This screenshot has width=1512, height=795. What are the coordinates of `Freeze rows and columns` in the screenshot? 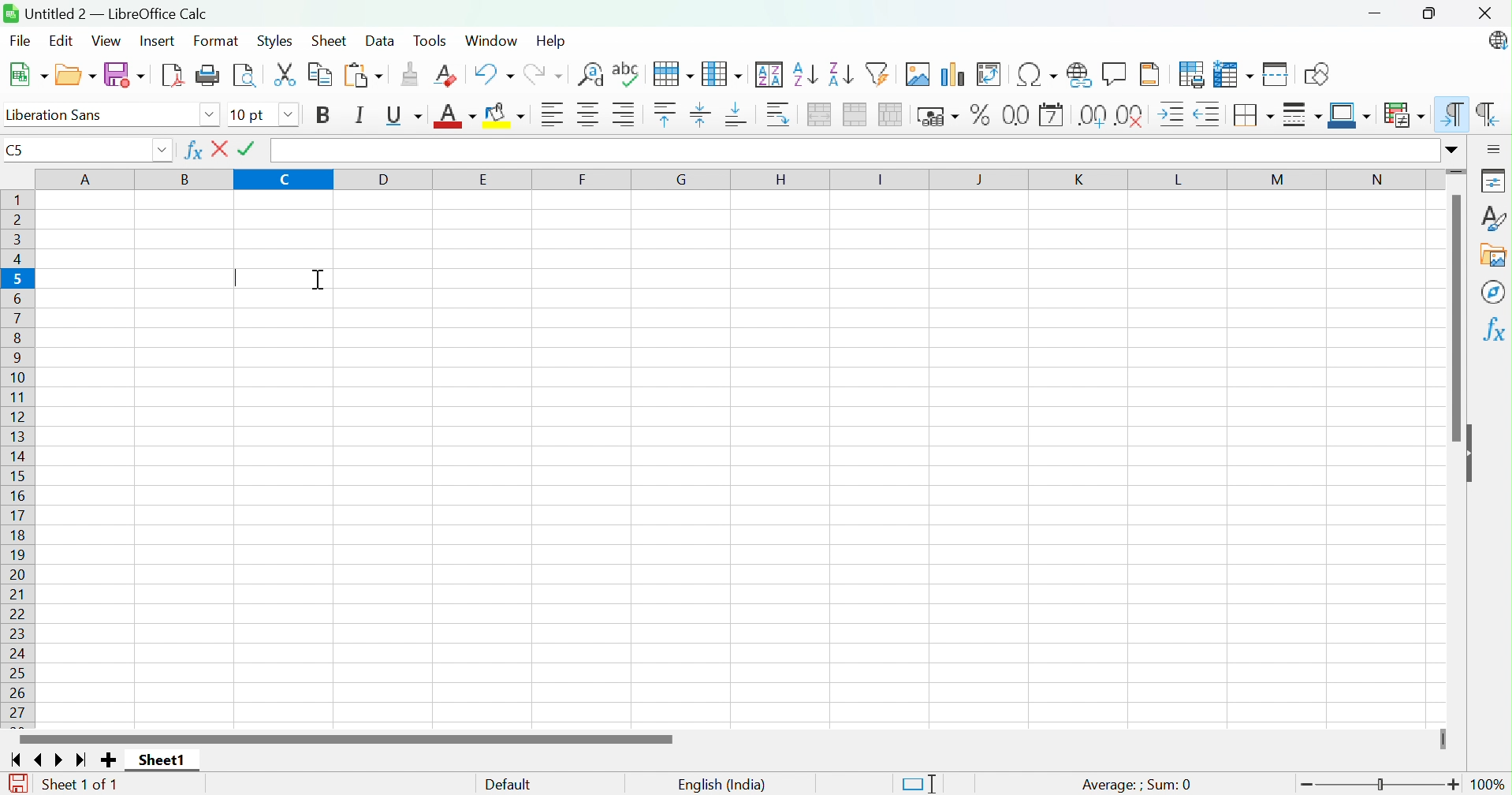 It's located at (1232, 76).